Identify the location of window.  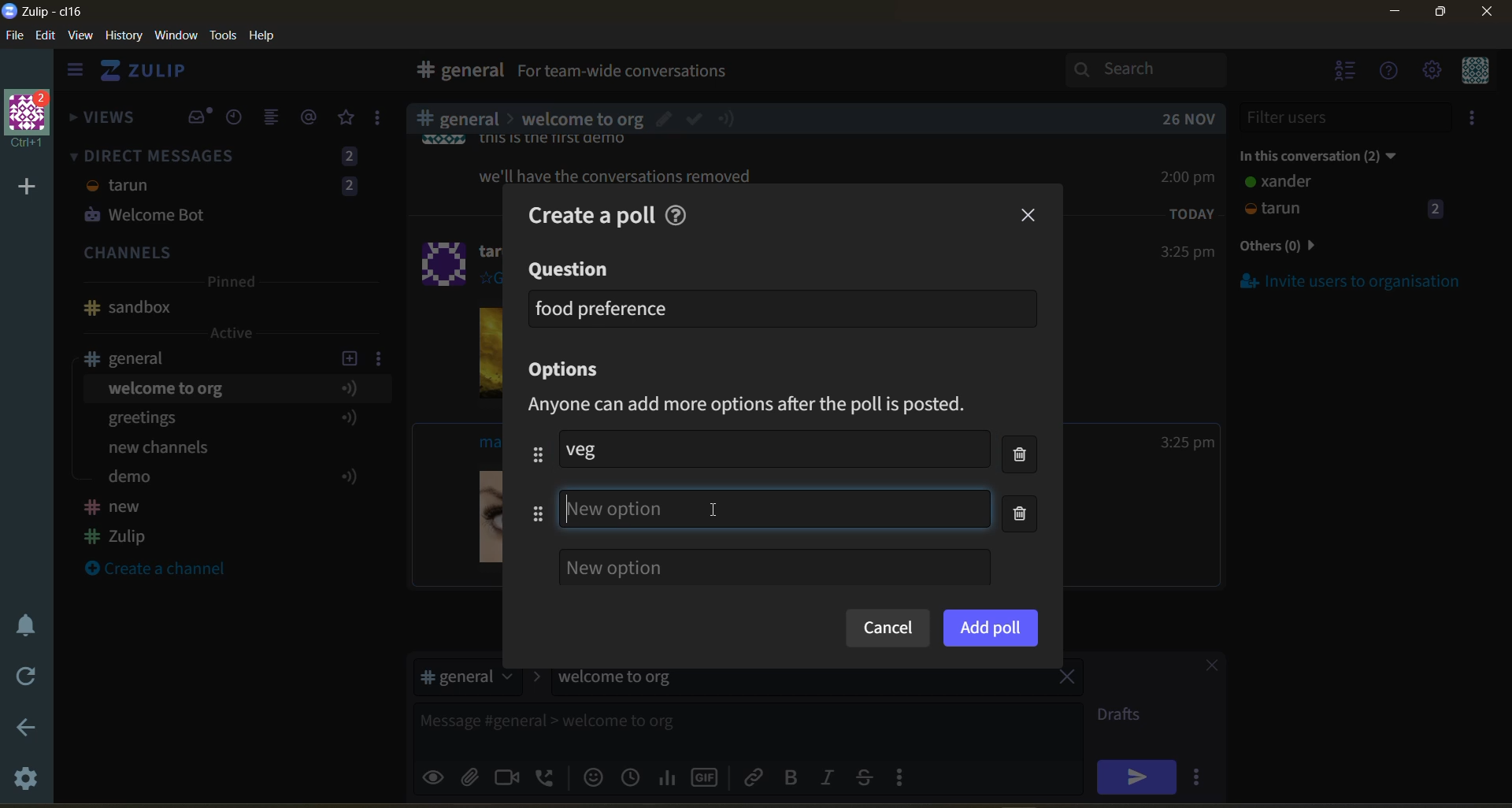
(174, 36).